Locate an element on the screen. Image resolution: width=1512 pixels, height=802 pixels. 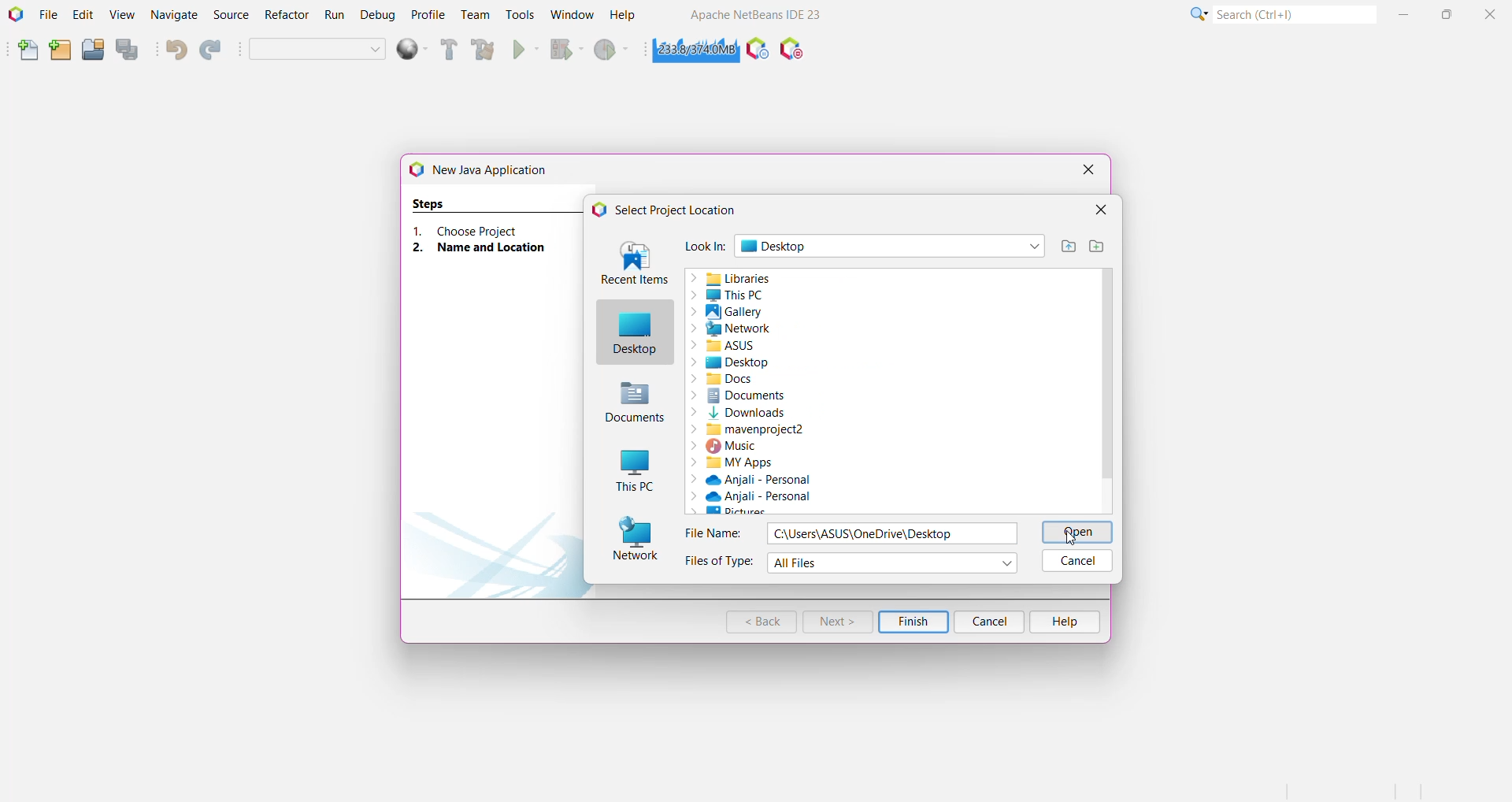
Desktop is located at coordinates (791, 362).